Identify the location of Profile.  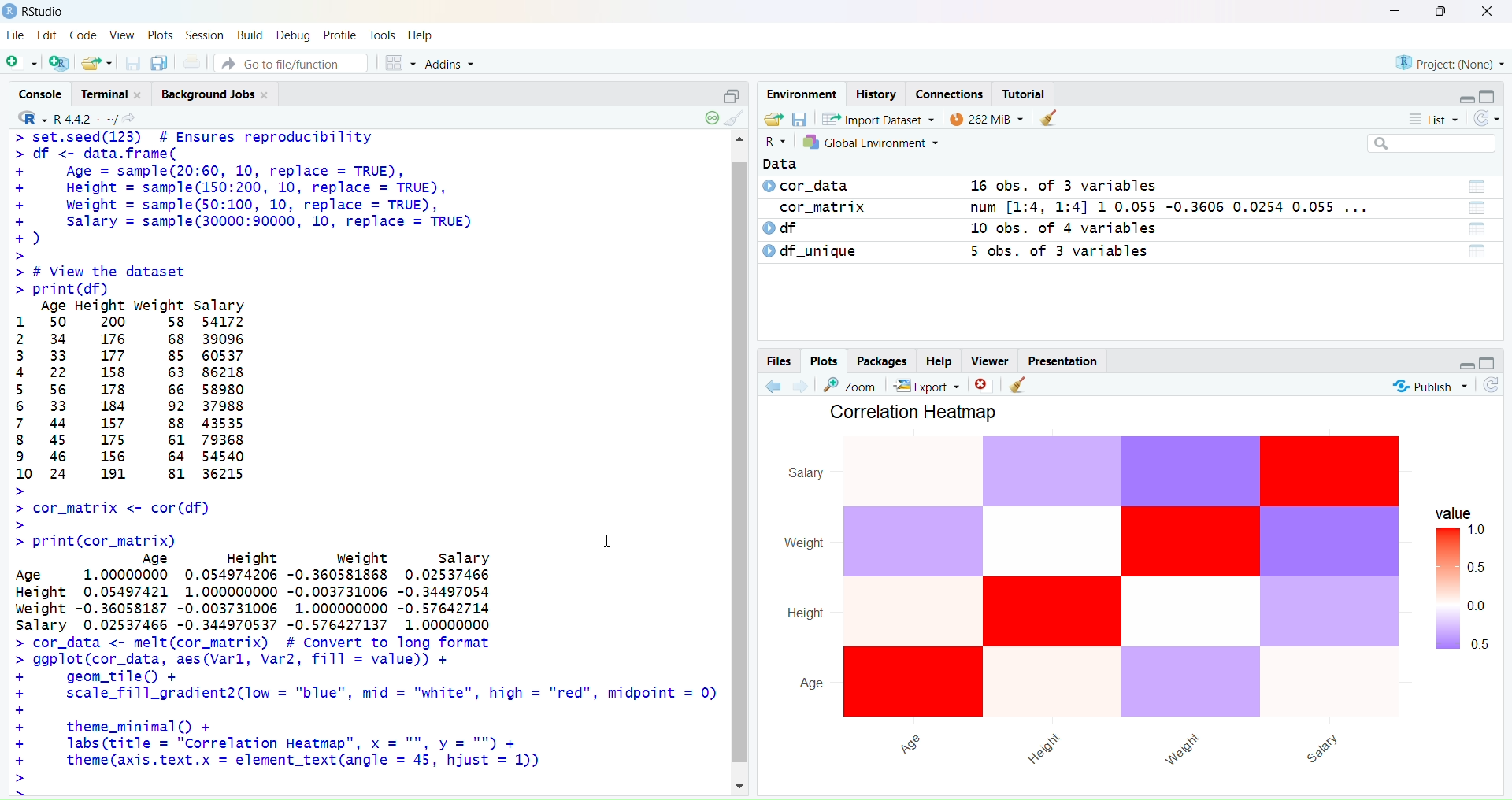
(341, 35).